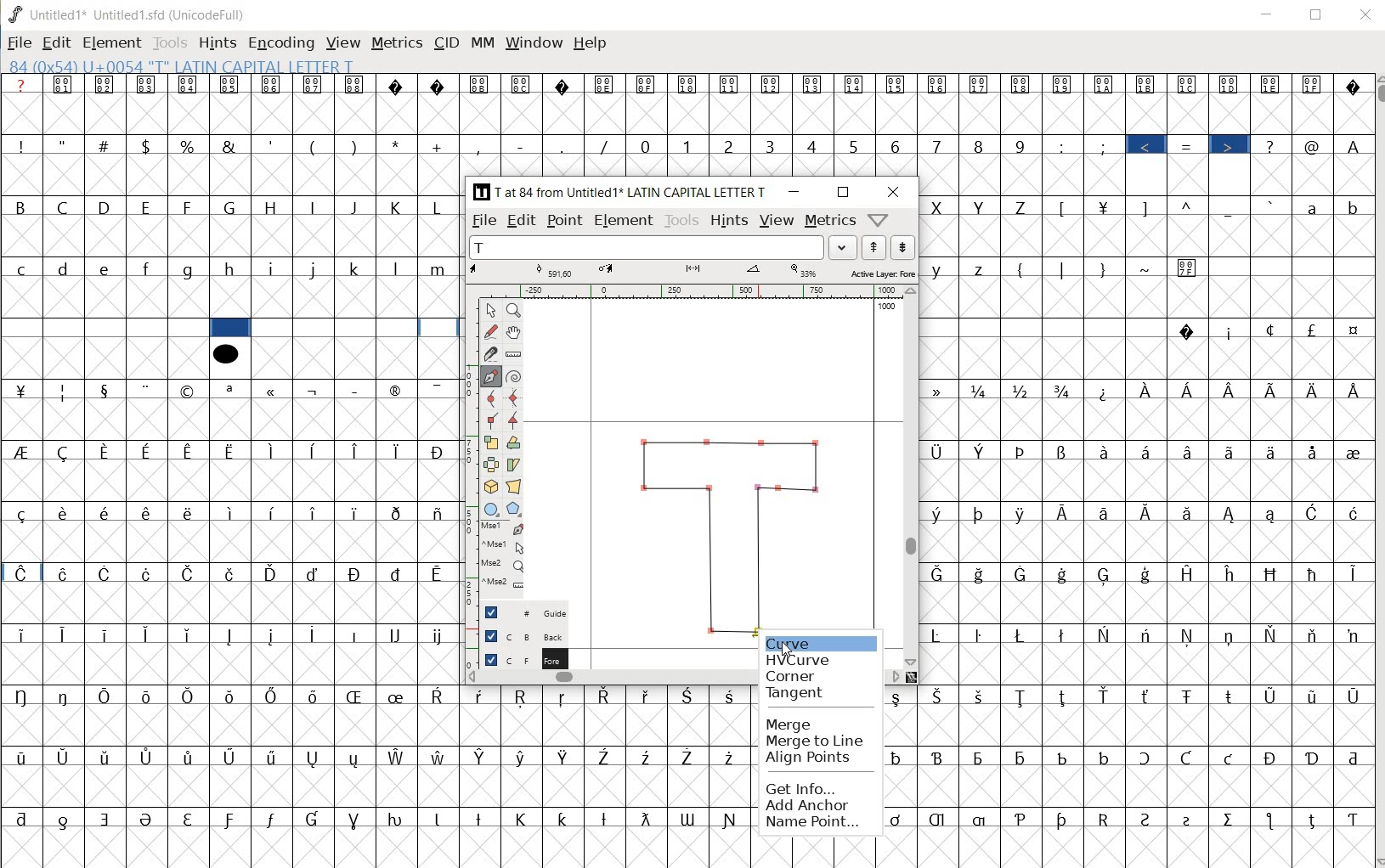  I want to click on Symbol, so click(689, 819).